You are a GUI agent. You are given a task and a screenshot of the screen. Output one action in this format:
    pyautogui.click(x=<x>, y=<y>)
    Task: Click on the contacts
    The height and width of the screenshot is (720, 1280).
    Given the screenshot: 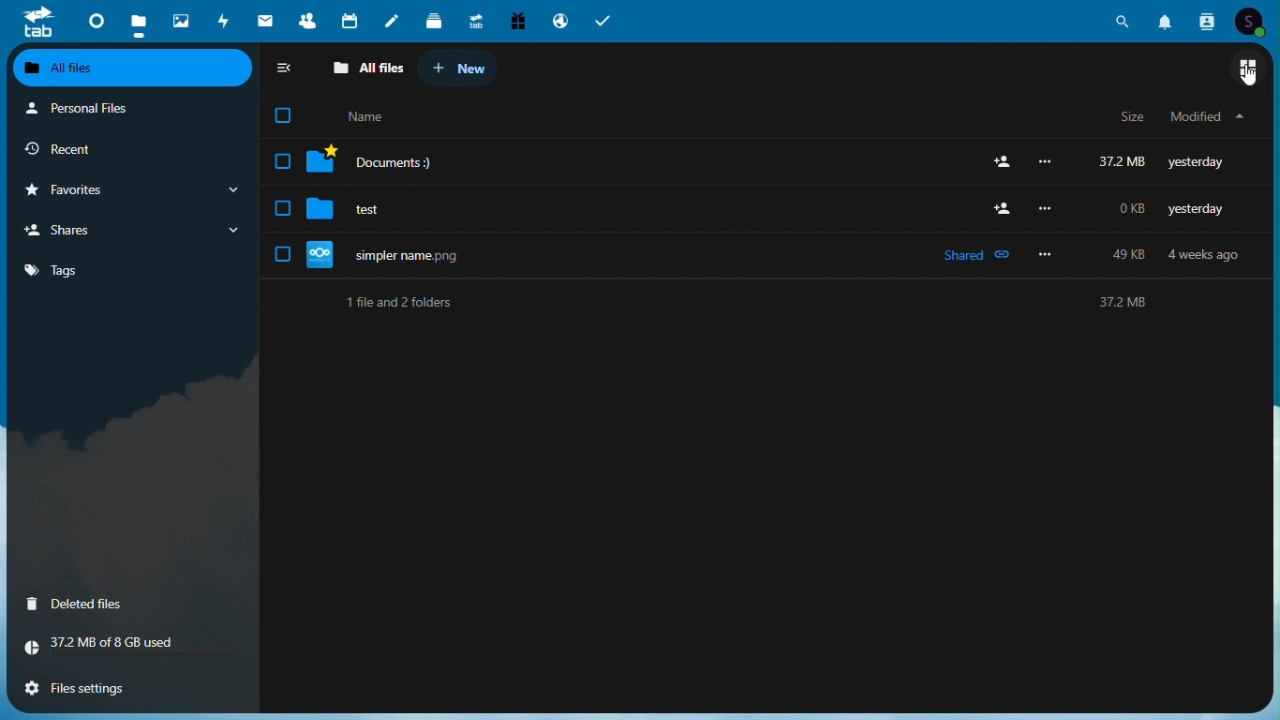 What is the action you would take?
    pyautogui.click(x=1210, y=21)
    